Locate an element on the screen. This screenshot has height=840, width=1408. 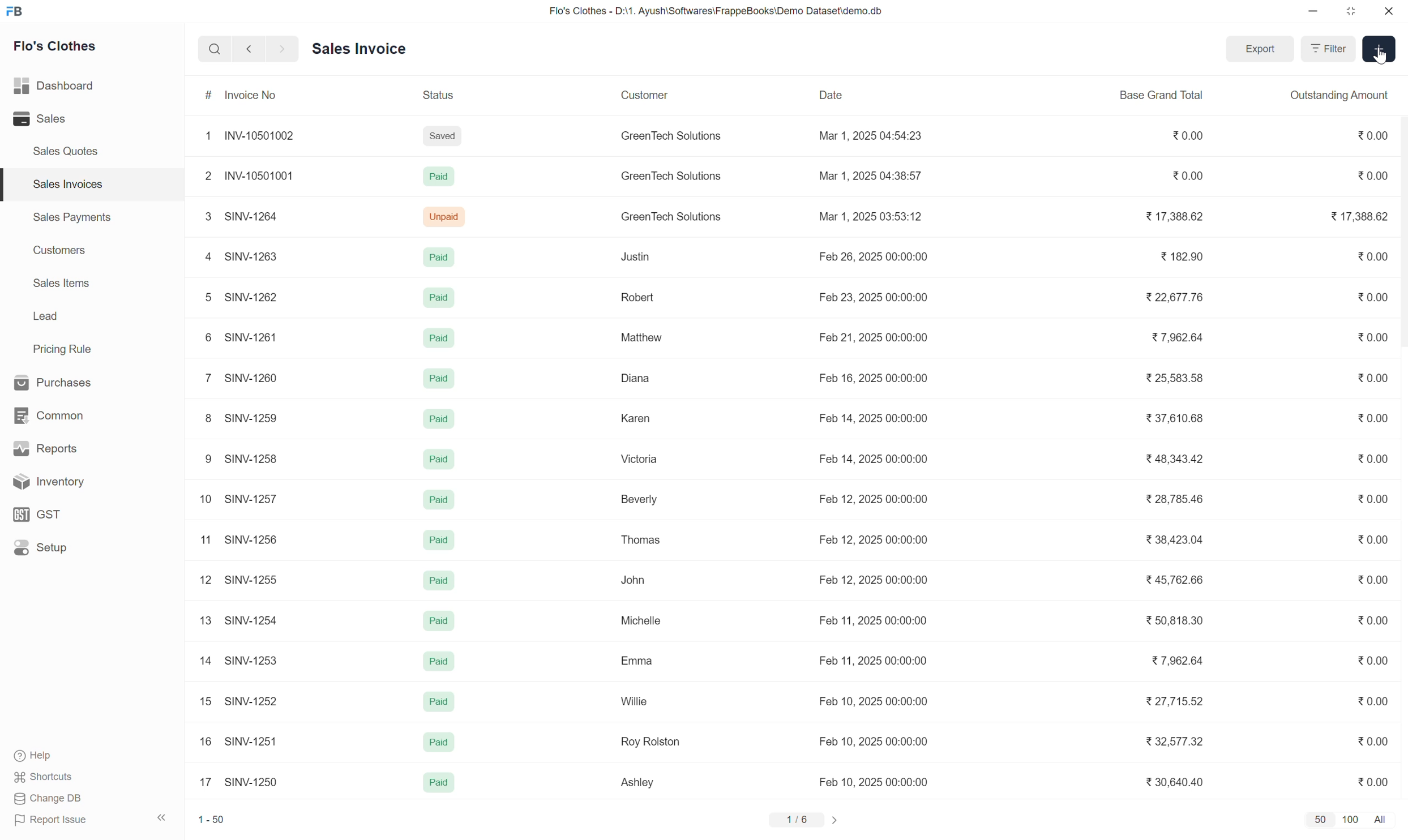
Sales Invoices is located at coordinates (66, 184).